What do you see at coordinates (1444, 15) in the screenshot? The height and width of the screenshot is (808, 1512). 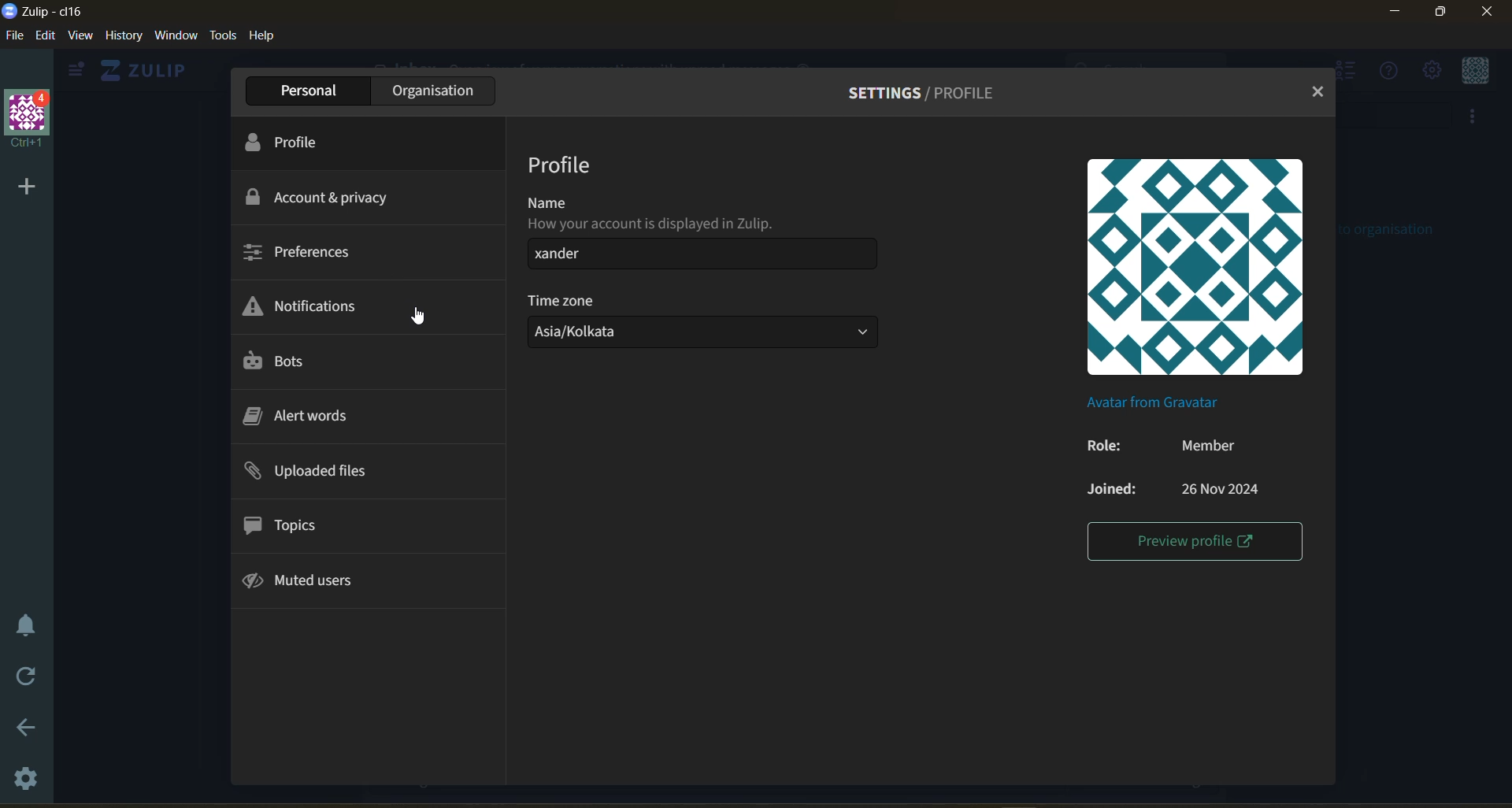 I see `Maximize` at bounding box center [1444, 15].